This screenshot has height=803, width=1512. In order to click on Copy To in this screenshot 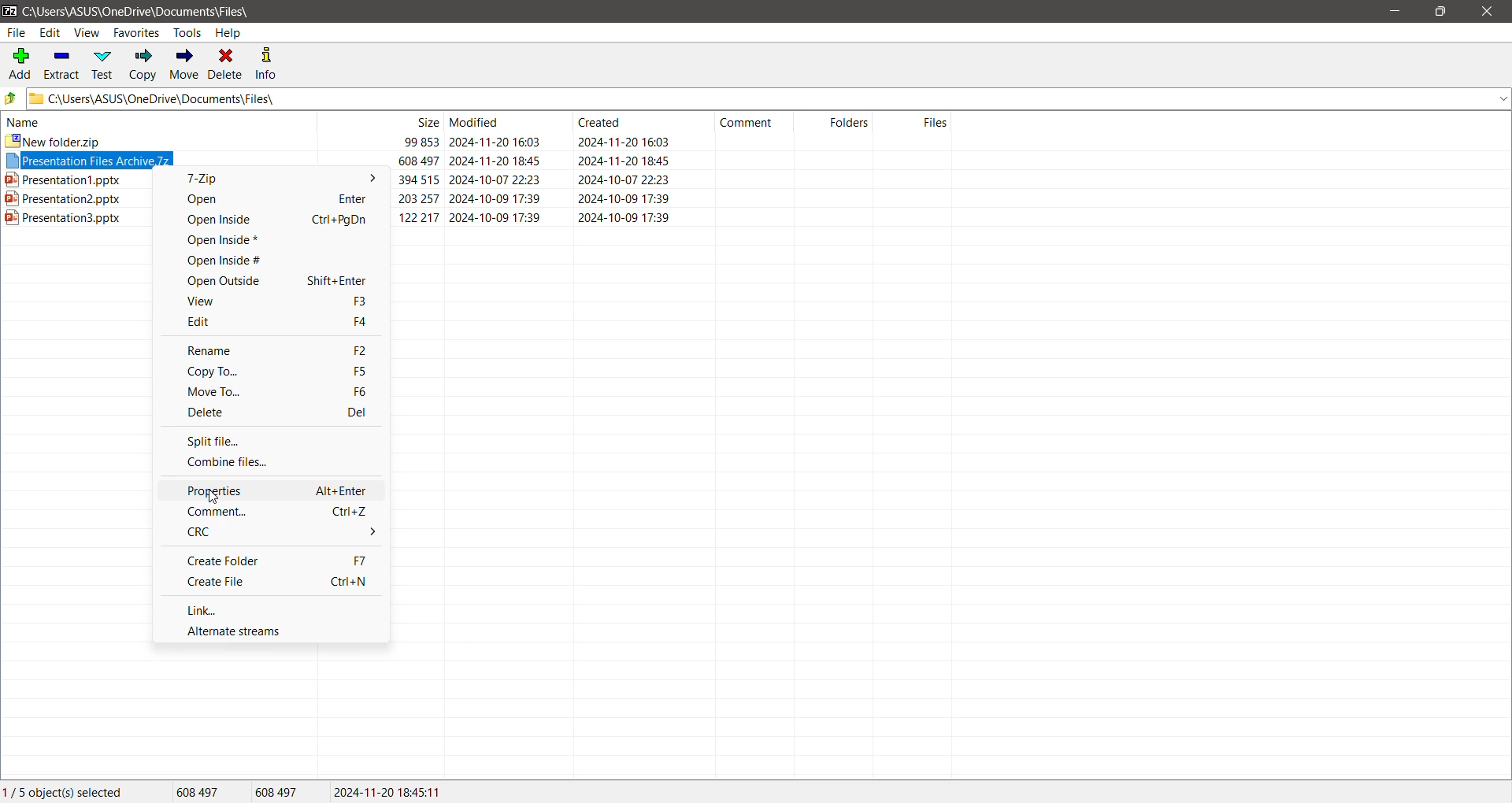, I will do `click(238, 371)`.